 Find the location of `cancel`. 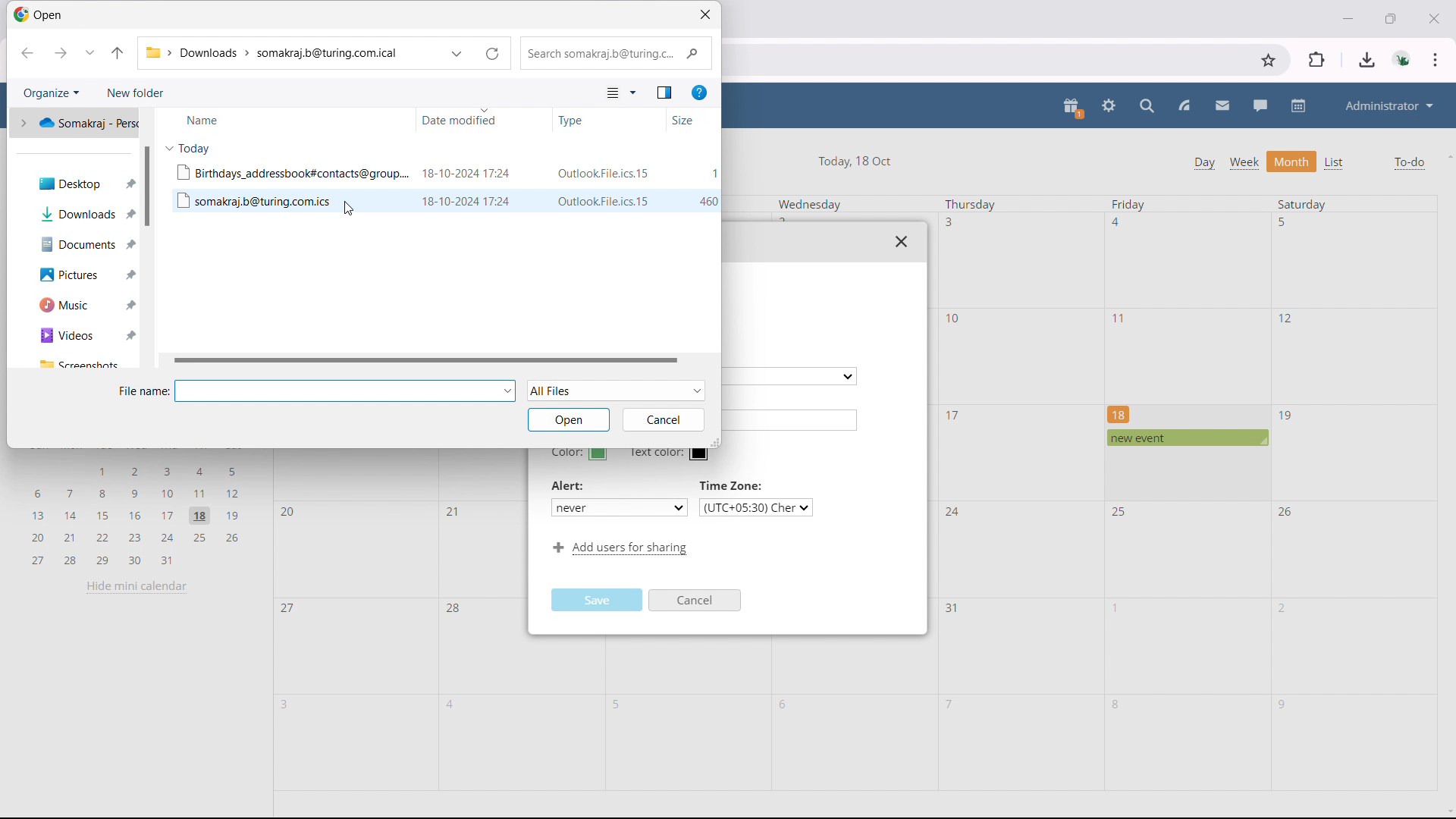

cancel is located at coordinates (661, 420).